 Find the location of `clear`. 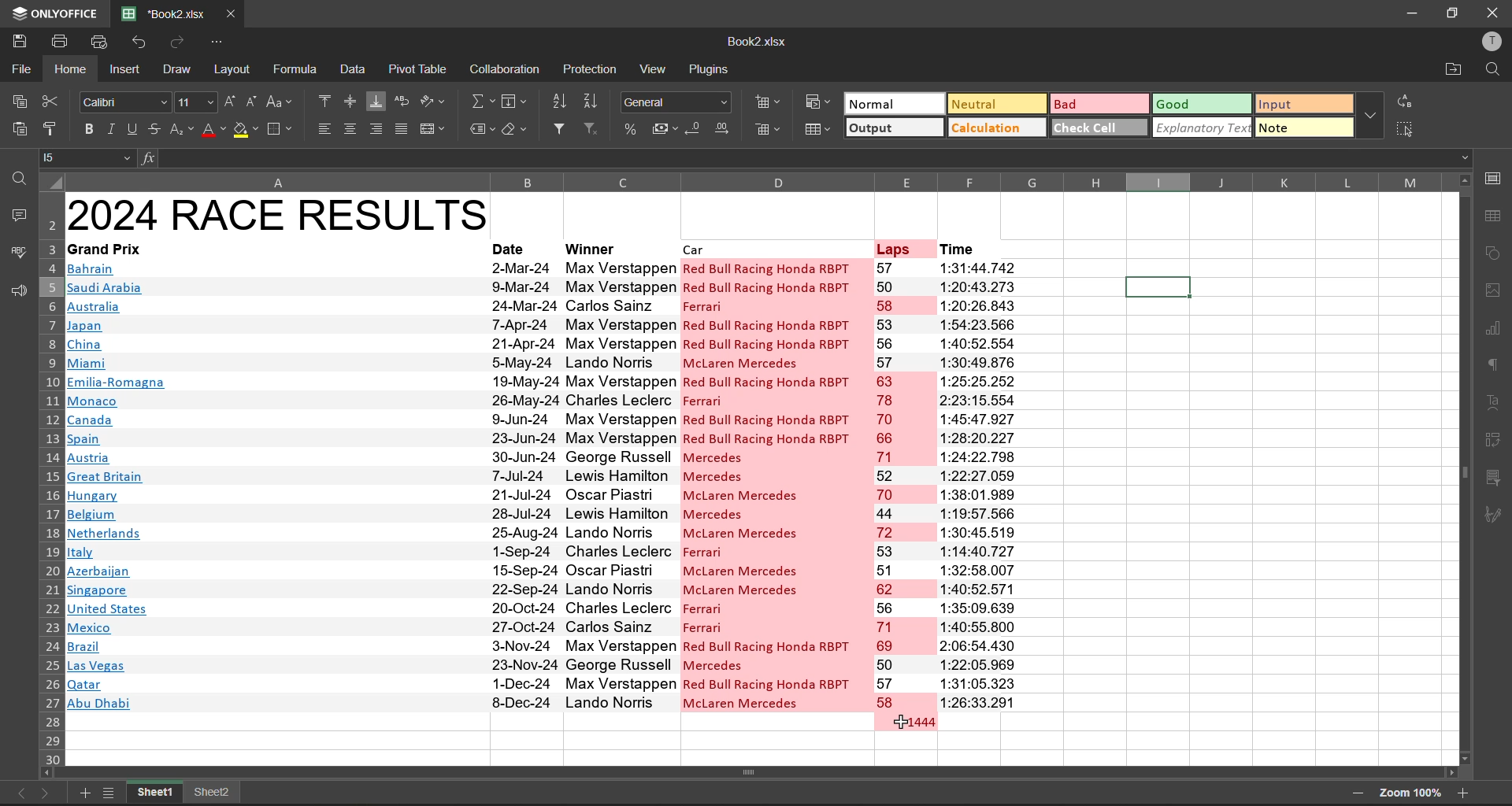

clear is located at coordinates (513, 128).